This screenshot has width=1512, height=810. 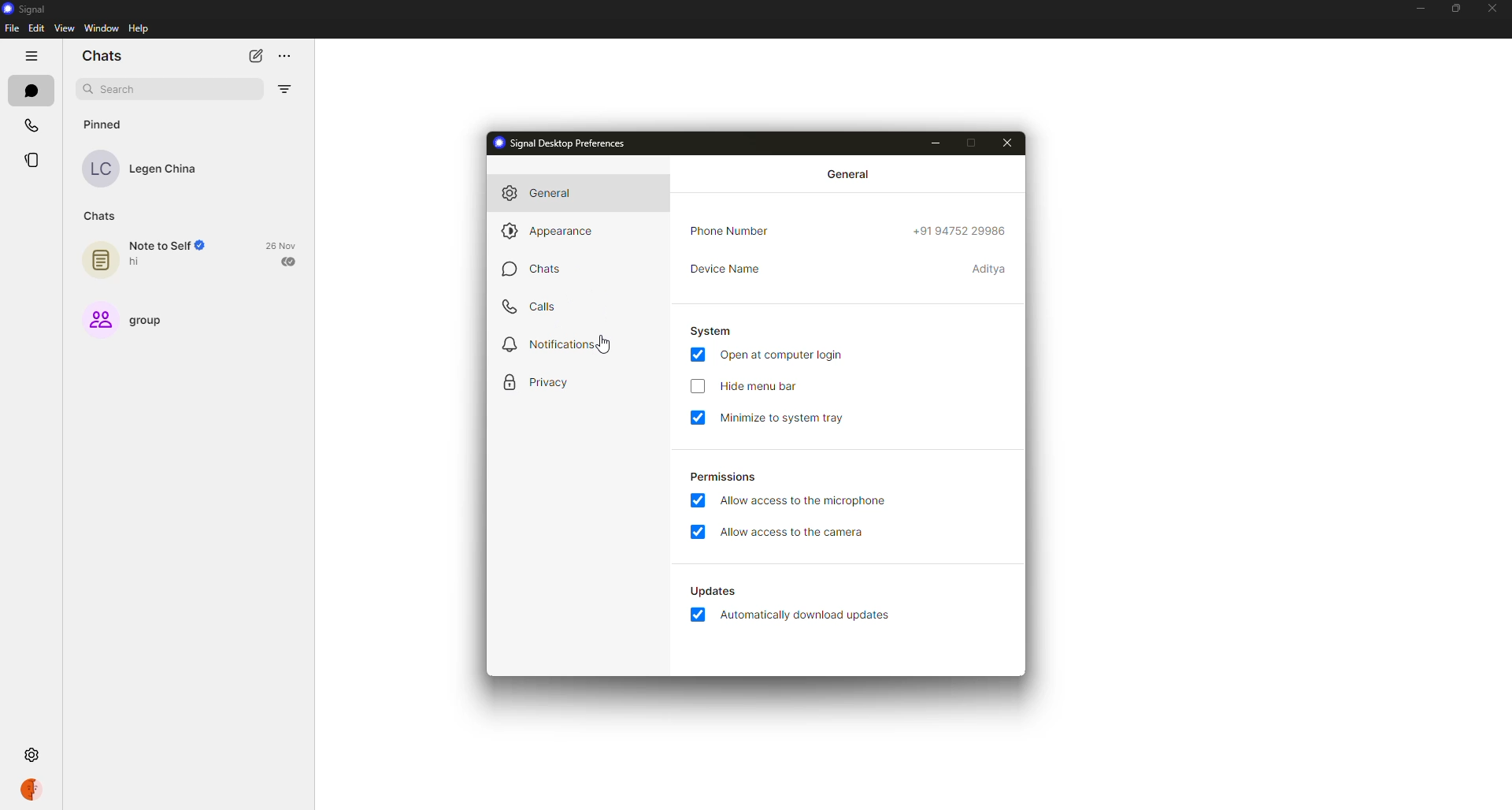 I want to click on note to self, so click(x=143, y=258).